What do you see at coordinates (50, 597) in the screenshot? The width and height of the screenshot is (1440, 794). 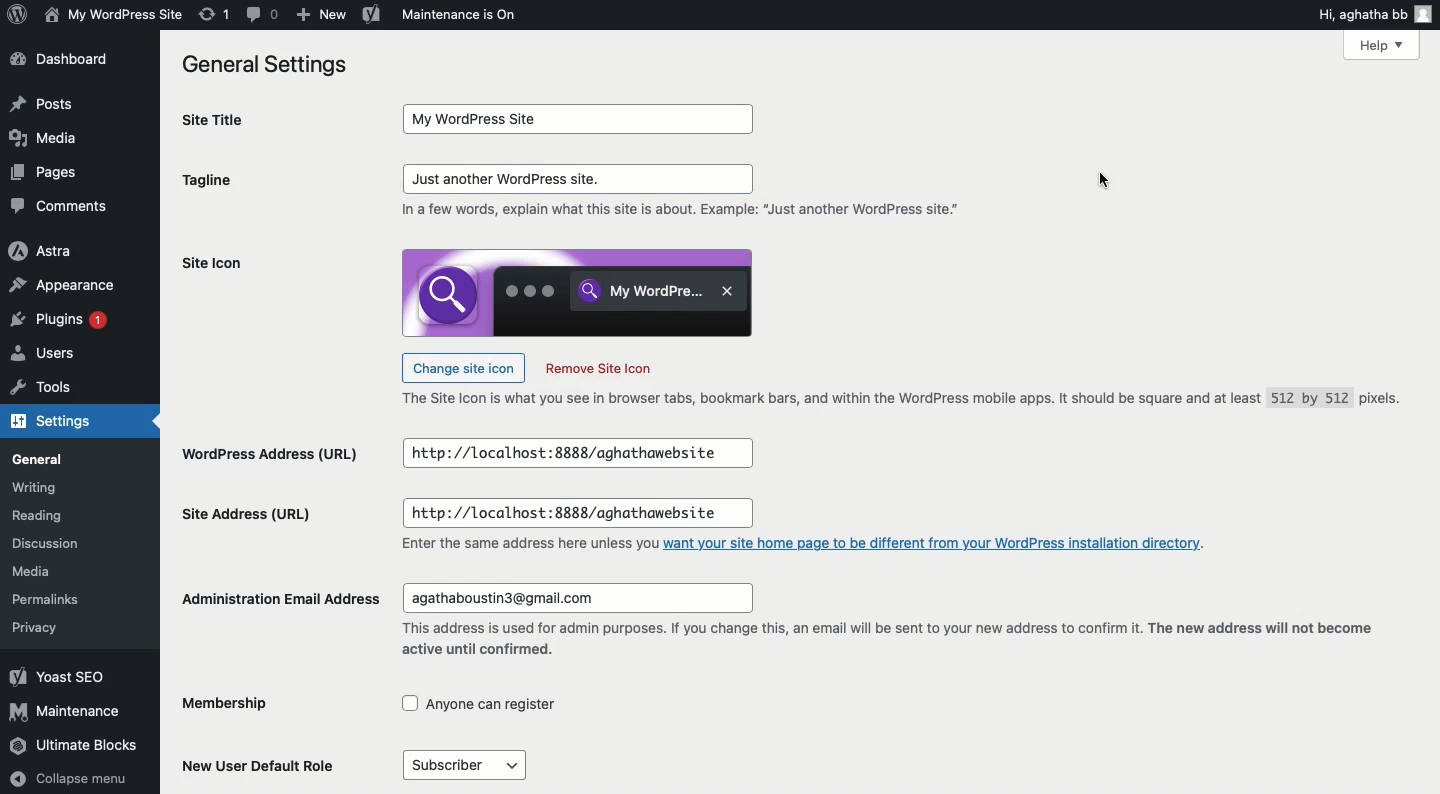 I see `Permalinks` at bounding box center [50, 597].